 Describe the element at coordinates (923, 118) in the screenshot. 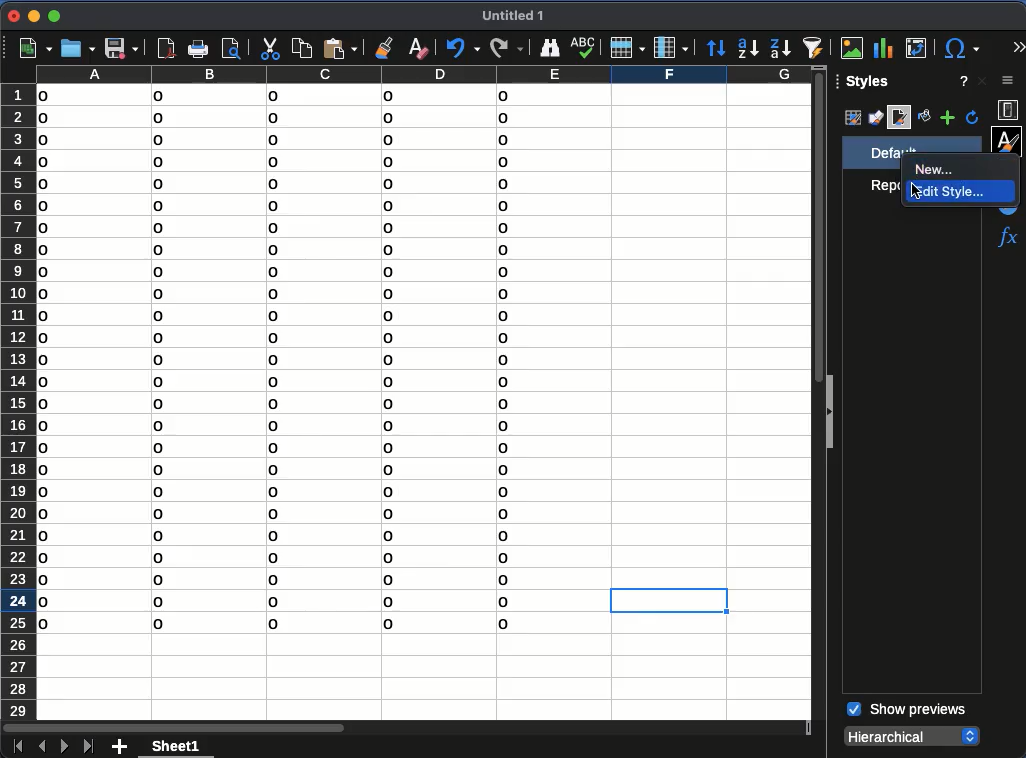

I see `fill format` at that location.